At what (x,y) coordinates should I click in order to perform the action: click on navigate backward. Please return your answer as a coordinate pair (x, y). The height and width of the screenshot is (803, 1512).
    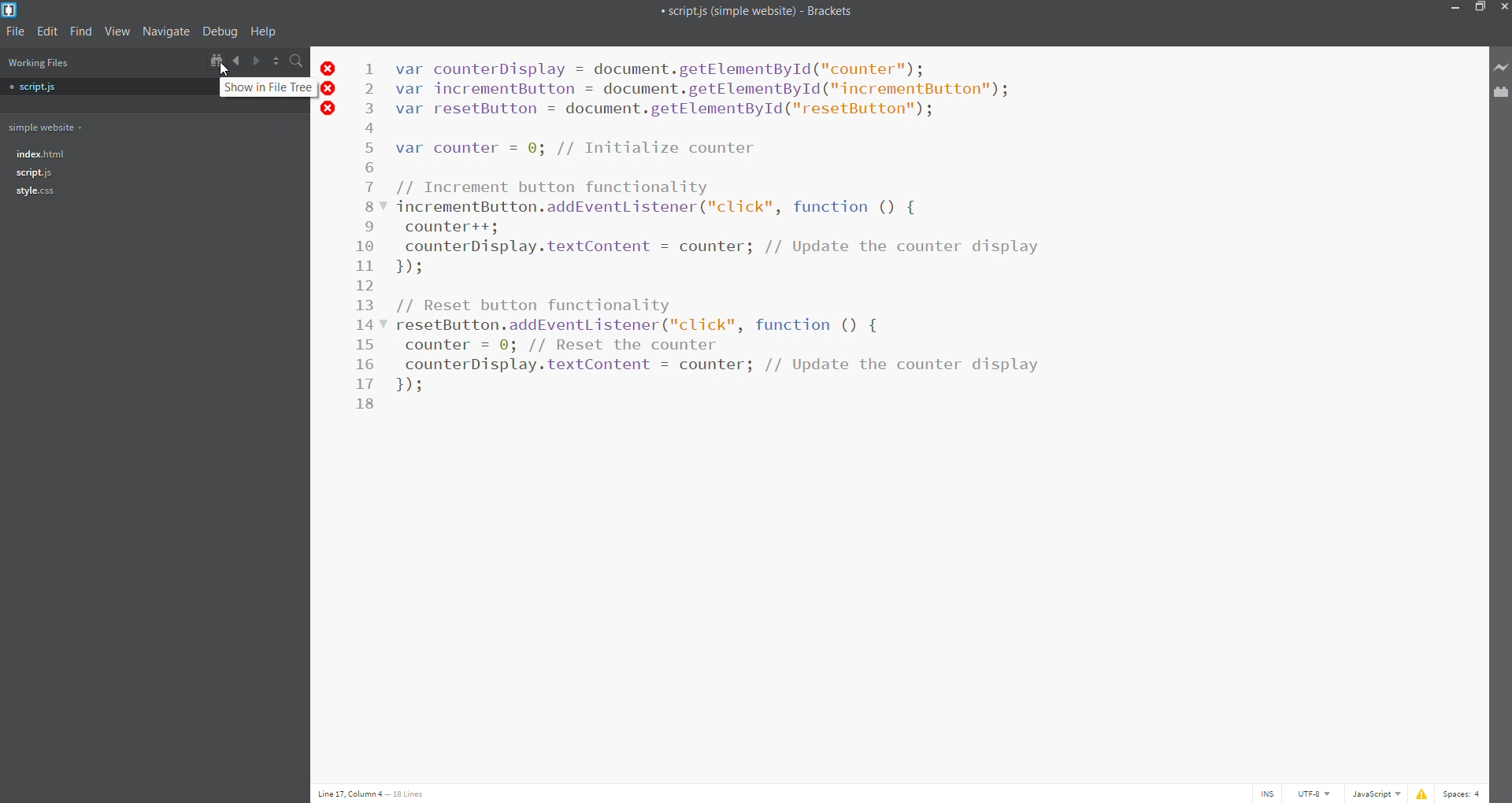
    Looking at the image, I should click on (236, 59).